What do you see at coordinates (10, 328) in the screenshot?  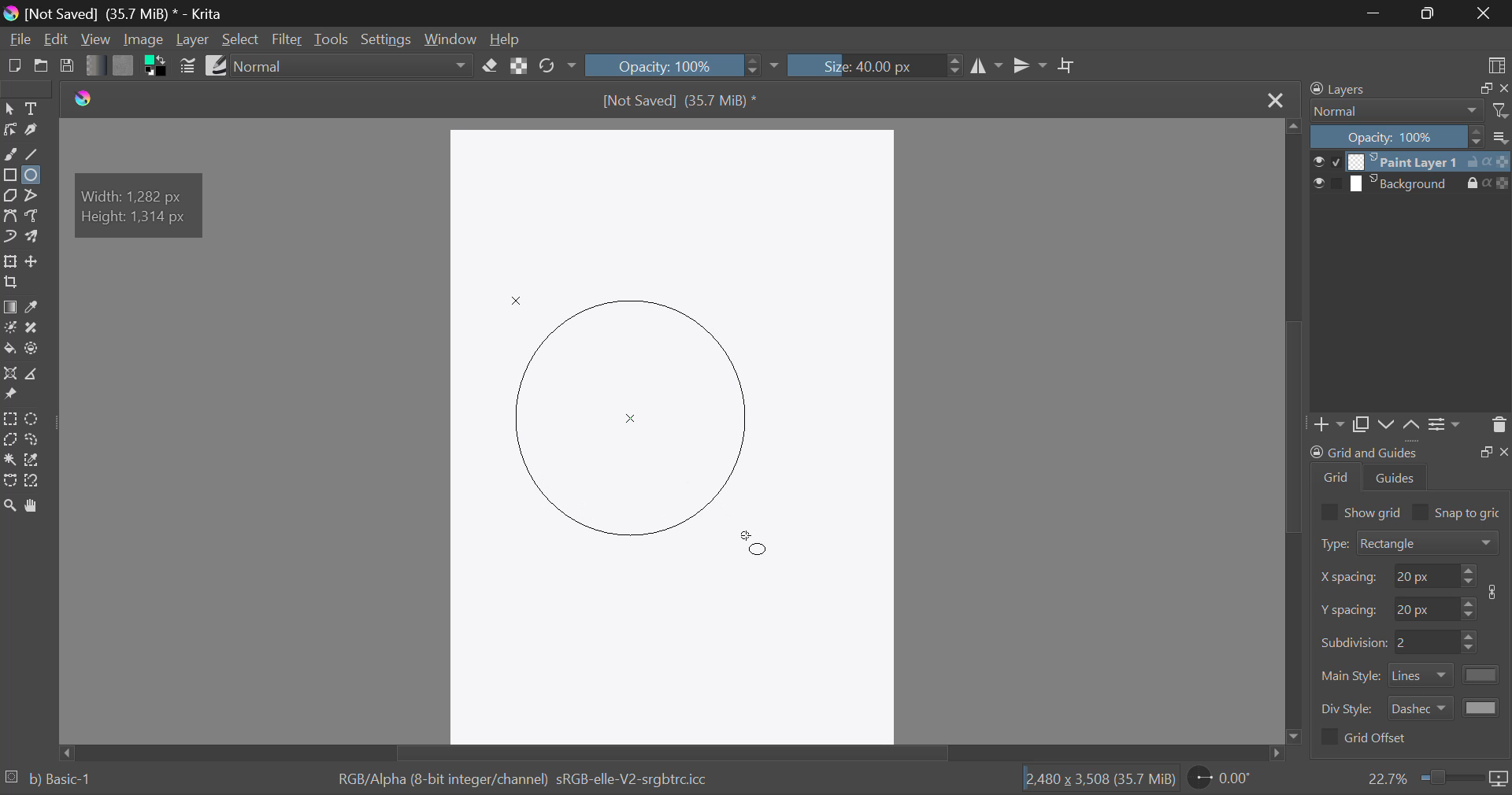 I see `Colorize Mask Tool` at bounding box center [10, 328].